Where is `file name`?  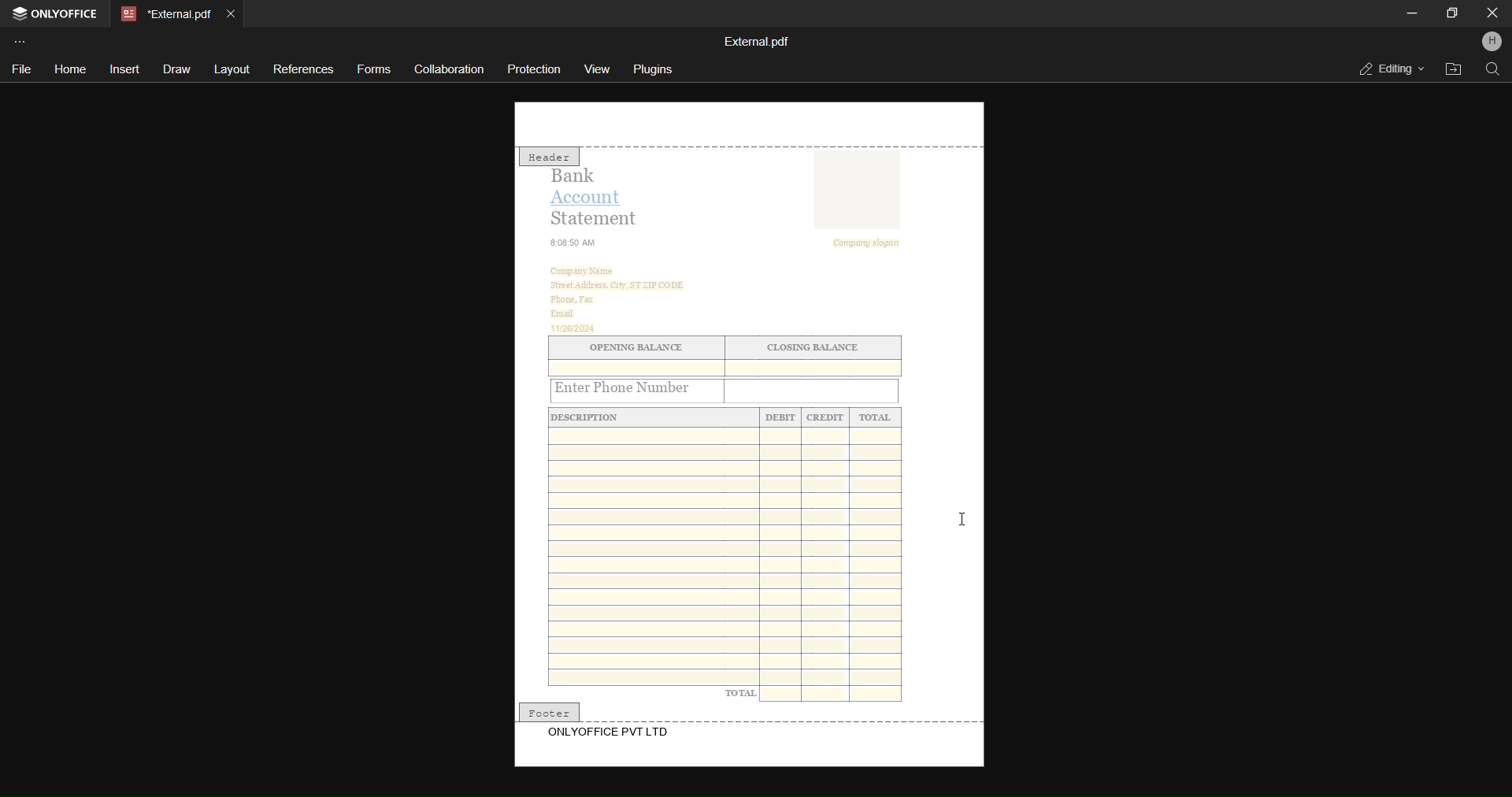 file name is located at coordinates (757, 40).